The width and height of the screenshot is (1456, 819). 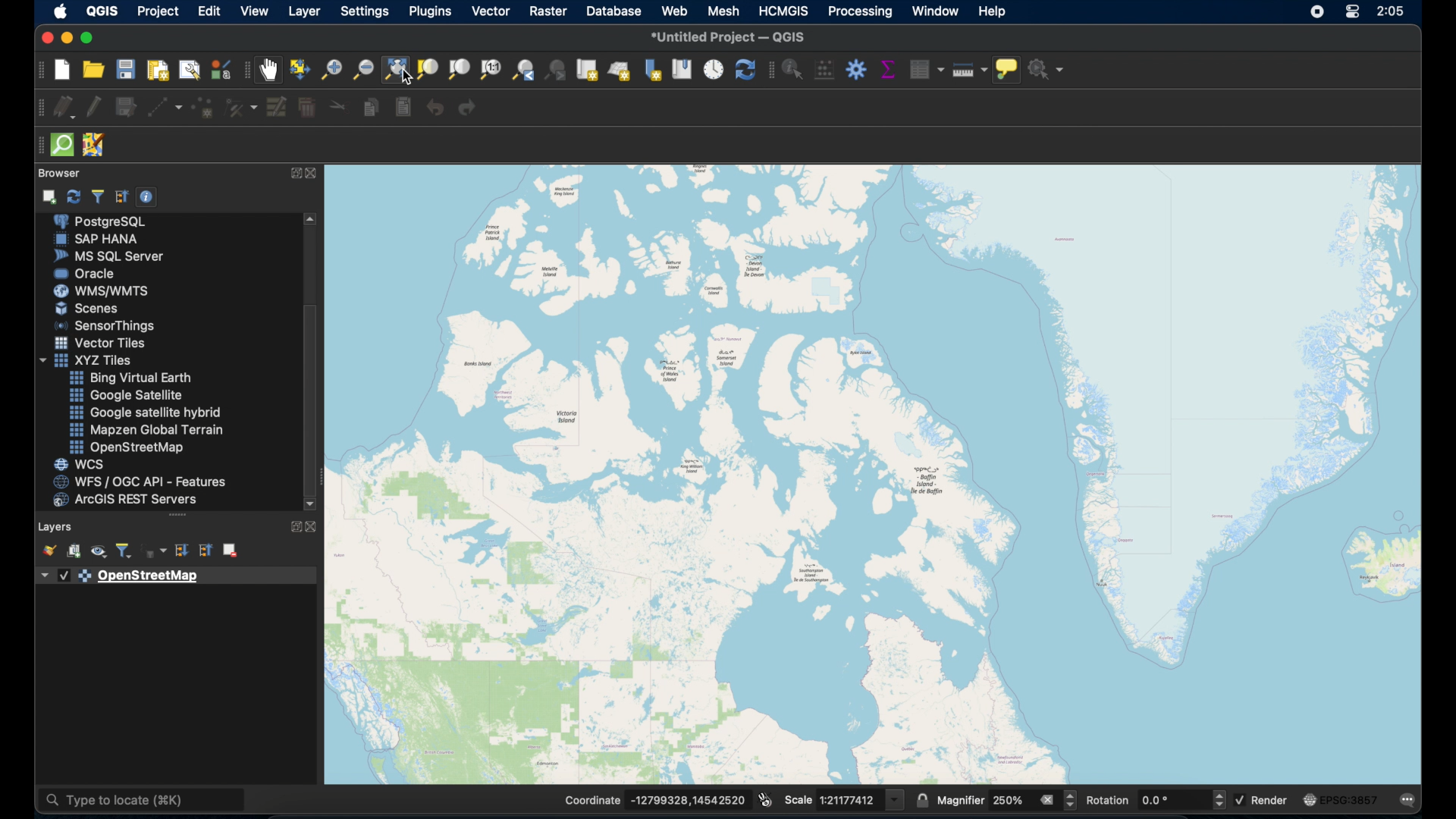 I want to click on EPSG:3875, so click(x=1354, y=800).